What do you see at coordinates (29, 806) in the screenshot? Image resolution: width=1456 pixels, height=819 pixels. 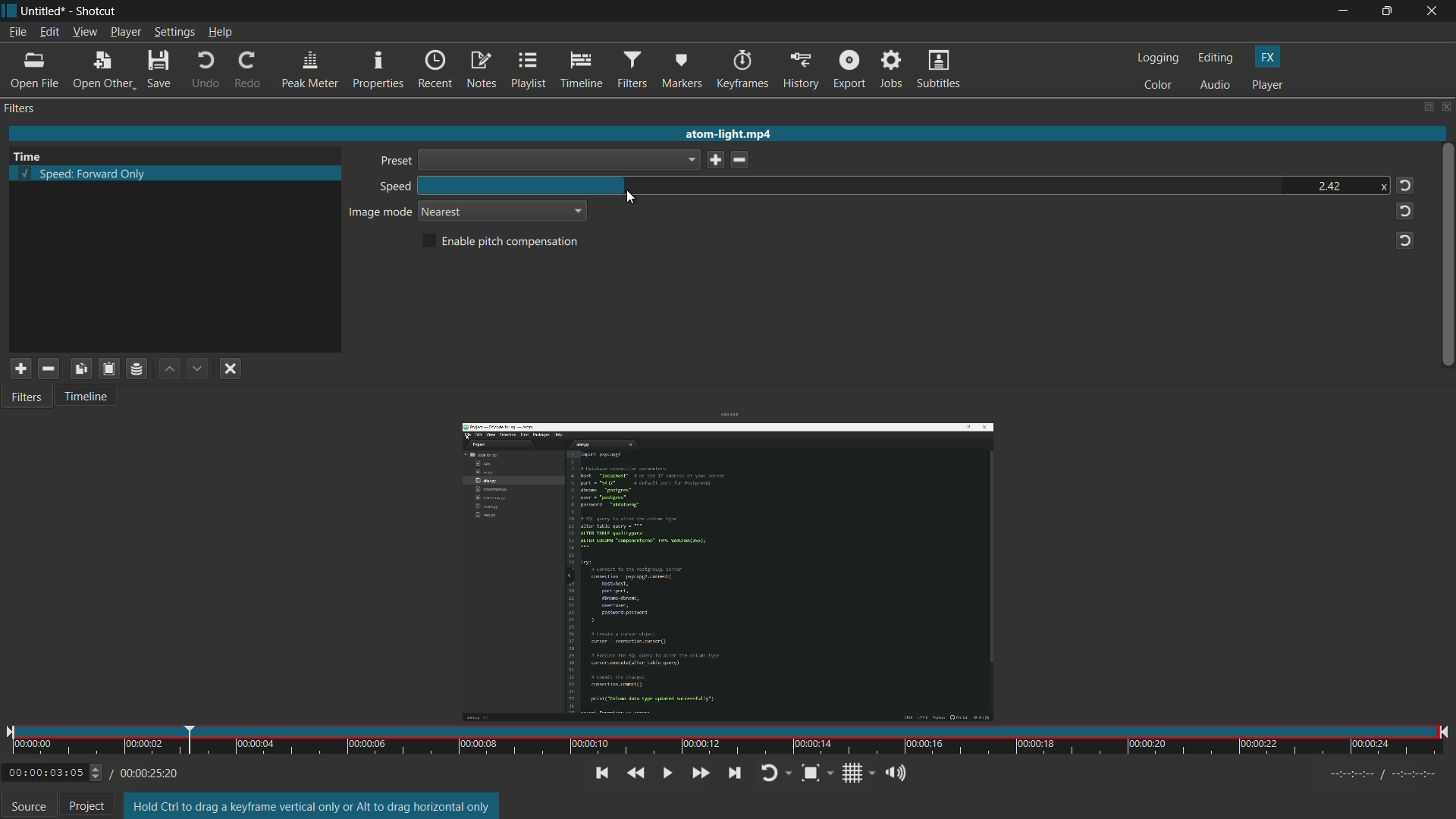 I see `source` at bounding box center [29, 806].